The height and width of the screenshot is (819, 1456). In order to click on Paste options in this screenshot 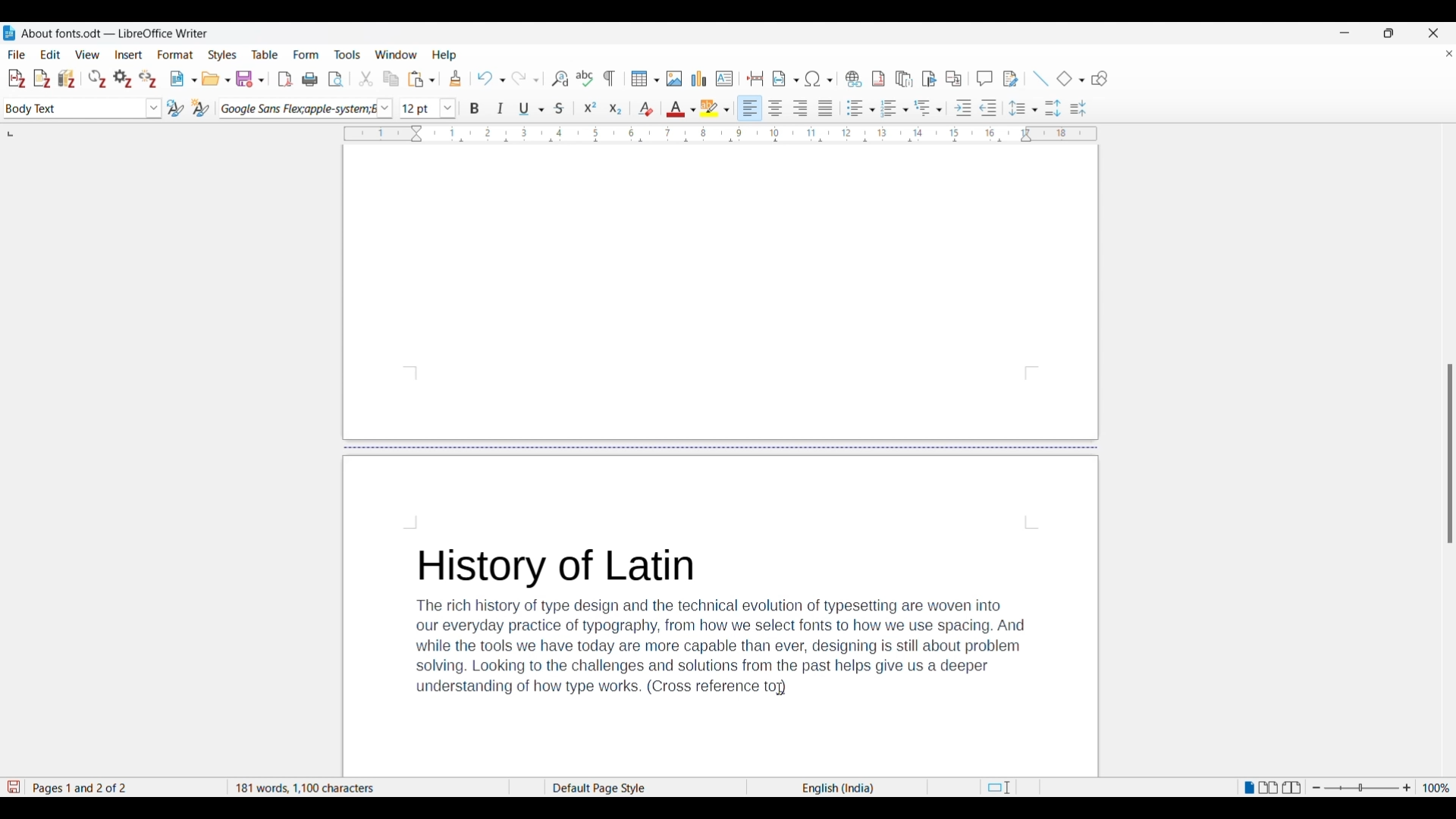, I will do `click(422, 79)`.